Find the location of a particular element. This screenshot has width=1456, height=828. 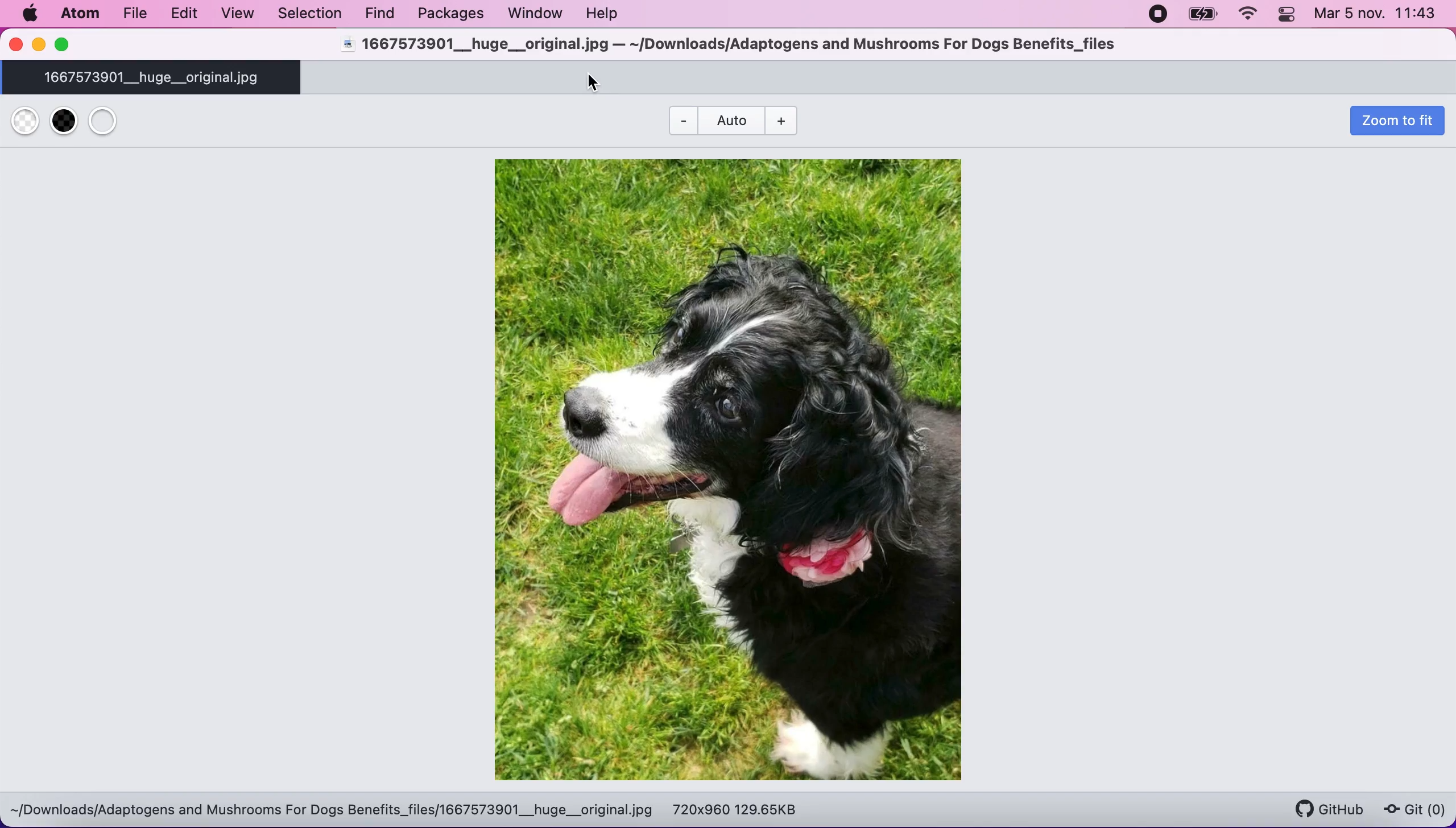

use black transparent background is located at coordinates (61, 122).